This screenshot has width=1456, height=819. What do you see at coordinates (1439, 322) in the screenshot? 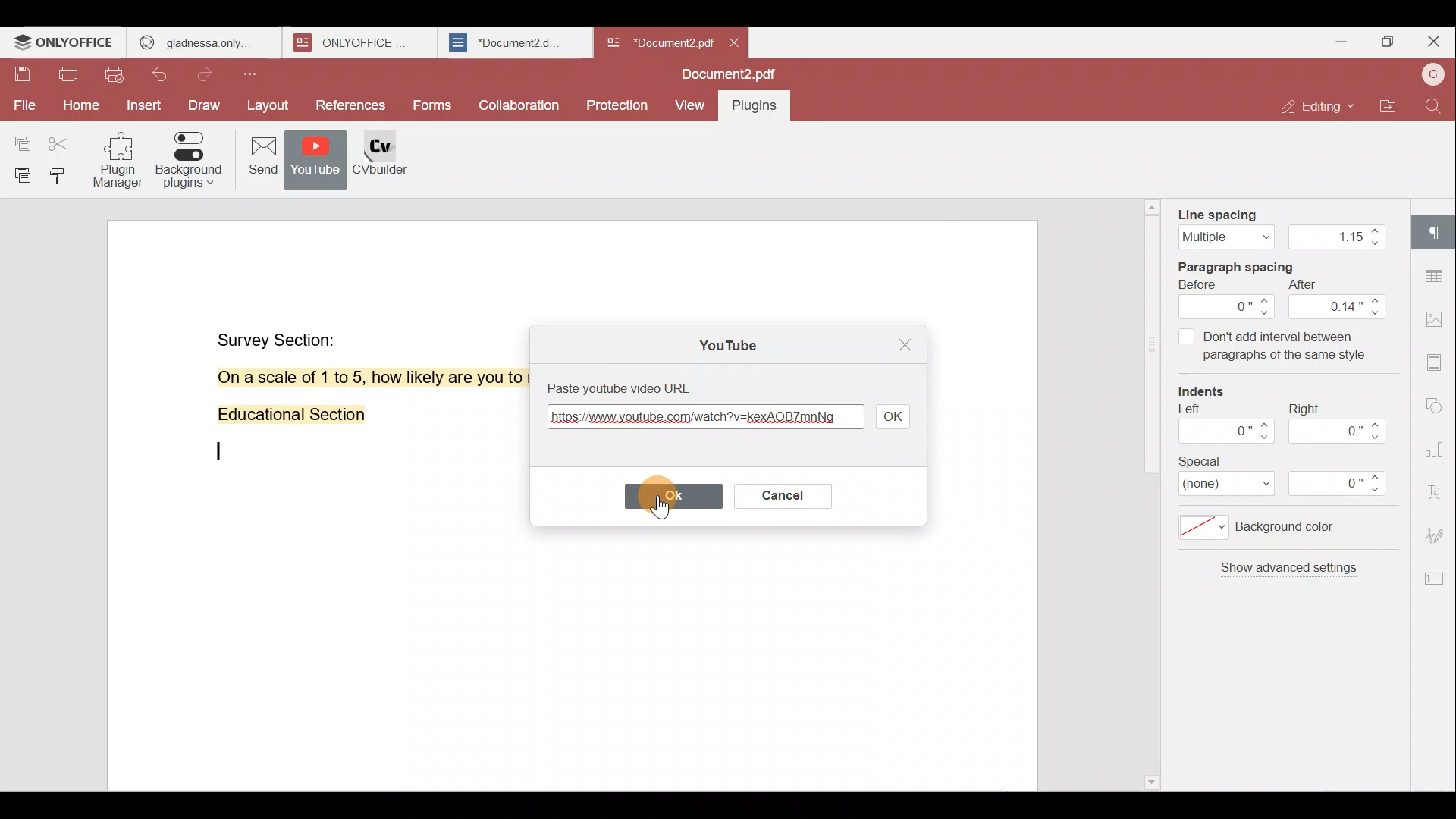
I see `Image settings` at bounding box center [1439, 322].